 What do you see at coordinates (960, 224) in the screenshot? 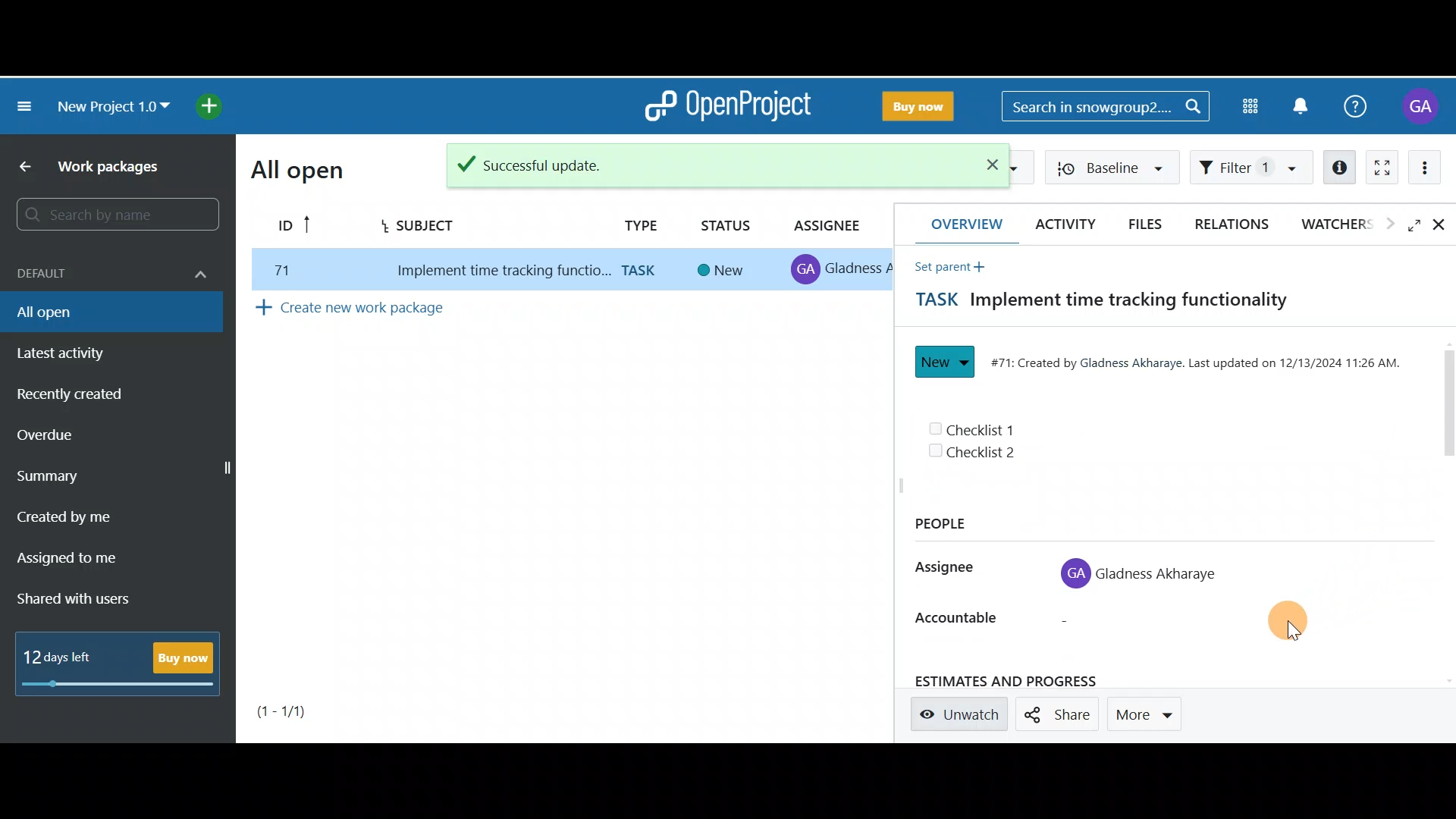
I see `Overview` at bounding box center [960, 224].